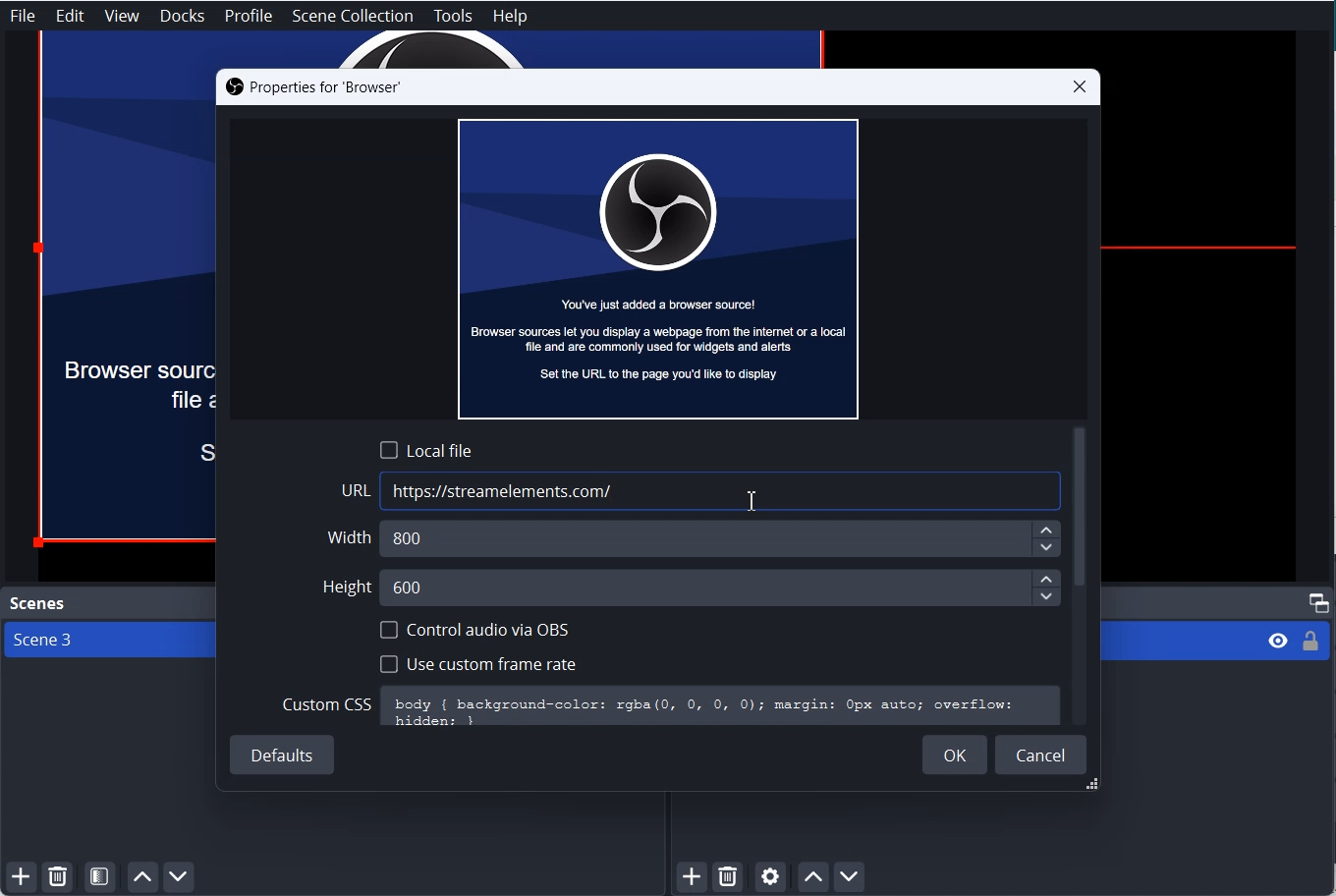 The image size is (1336, 896). What do you see at coordinates (691, 586) in the screenshot?
I see `Enter Height` at bounding box center [691, 586].